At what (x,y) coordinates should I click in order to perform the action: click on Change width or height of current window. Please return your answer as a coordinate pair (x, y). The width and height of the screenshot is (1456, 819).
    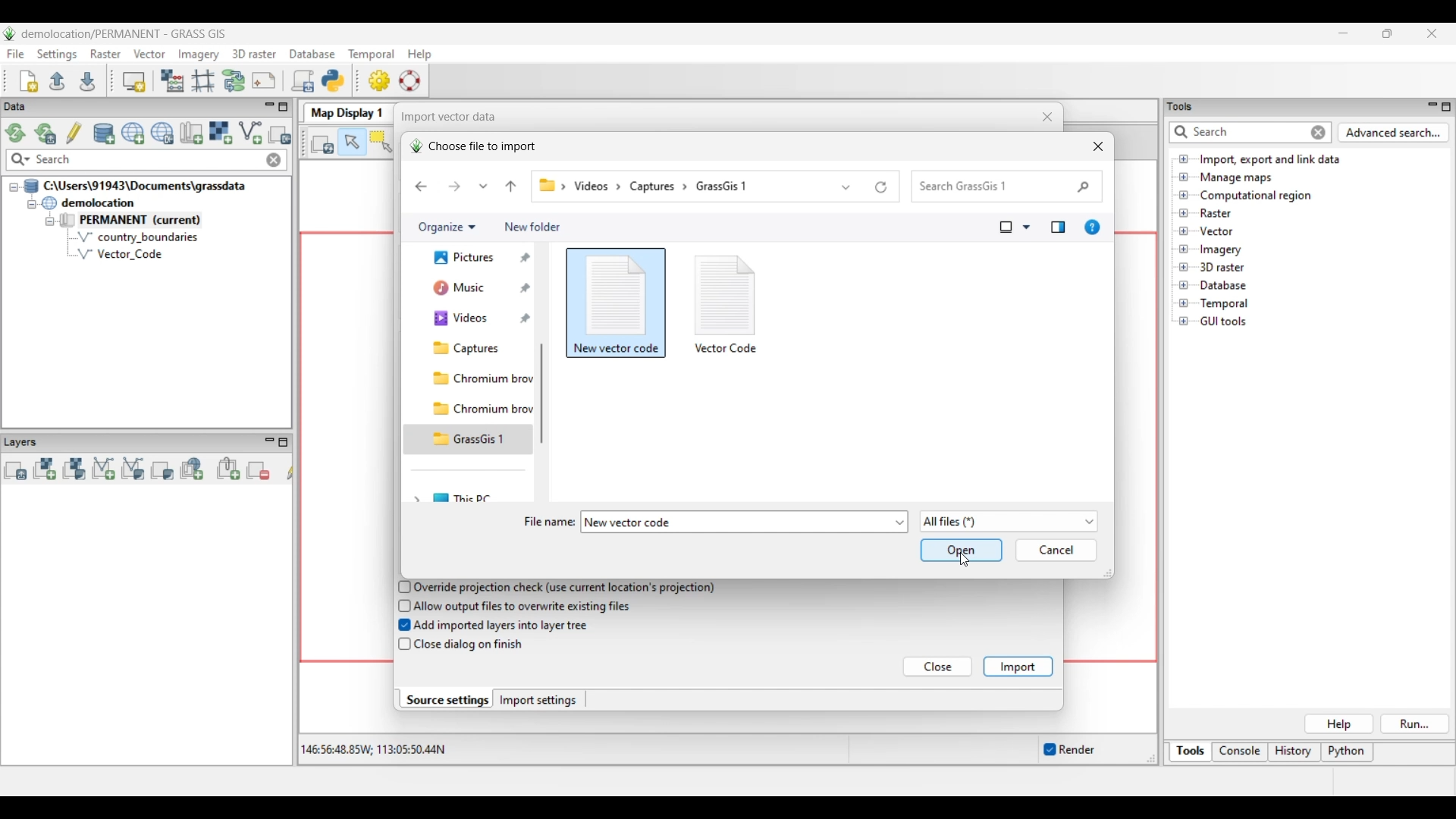
    Looking at the image, I should click on (1106, 573).